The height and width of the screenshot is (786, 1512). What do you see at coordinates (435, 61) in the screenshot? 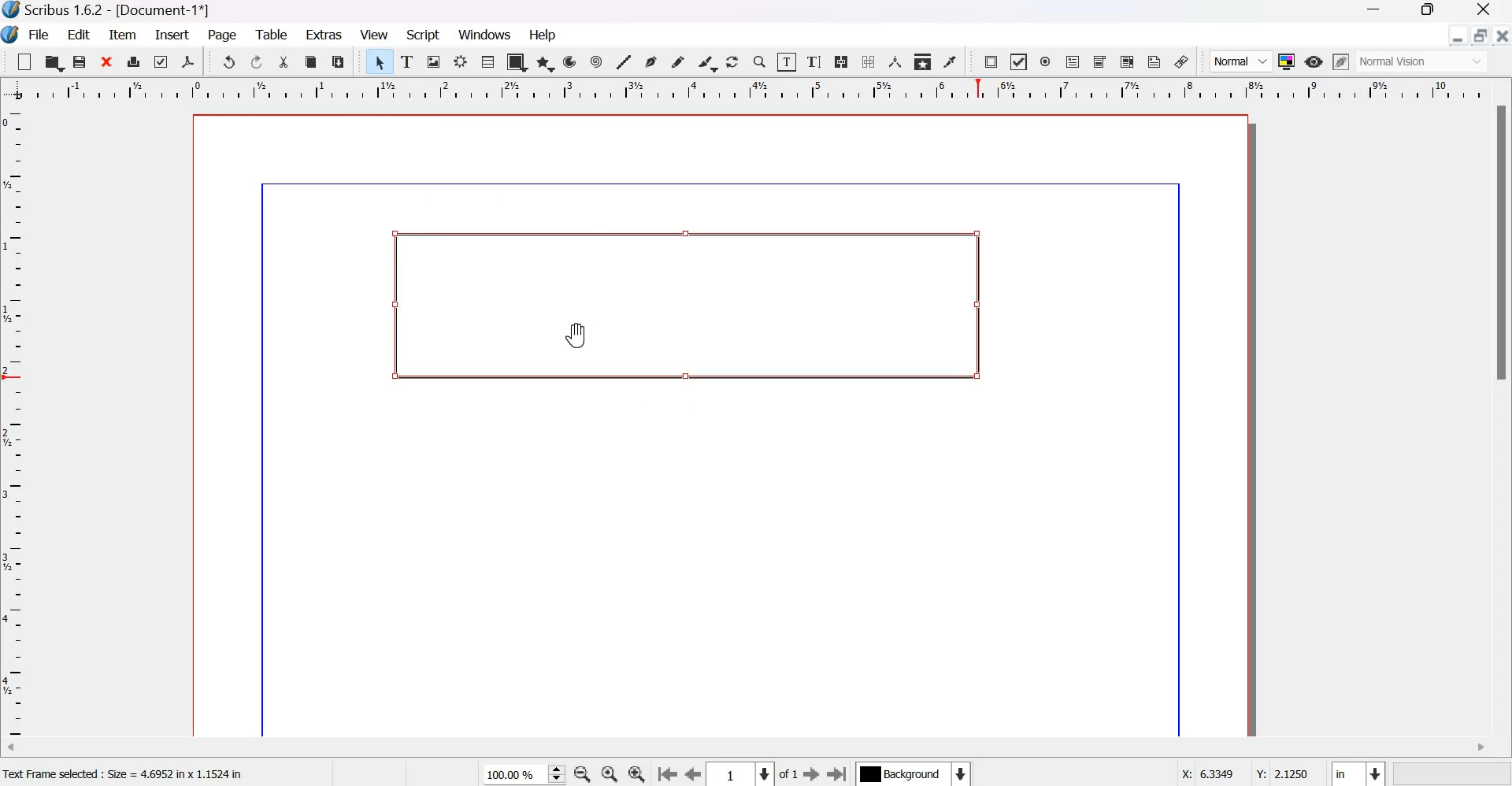
I see `image render` at bounding box center [435, 61].